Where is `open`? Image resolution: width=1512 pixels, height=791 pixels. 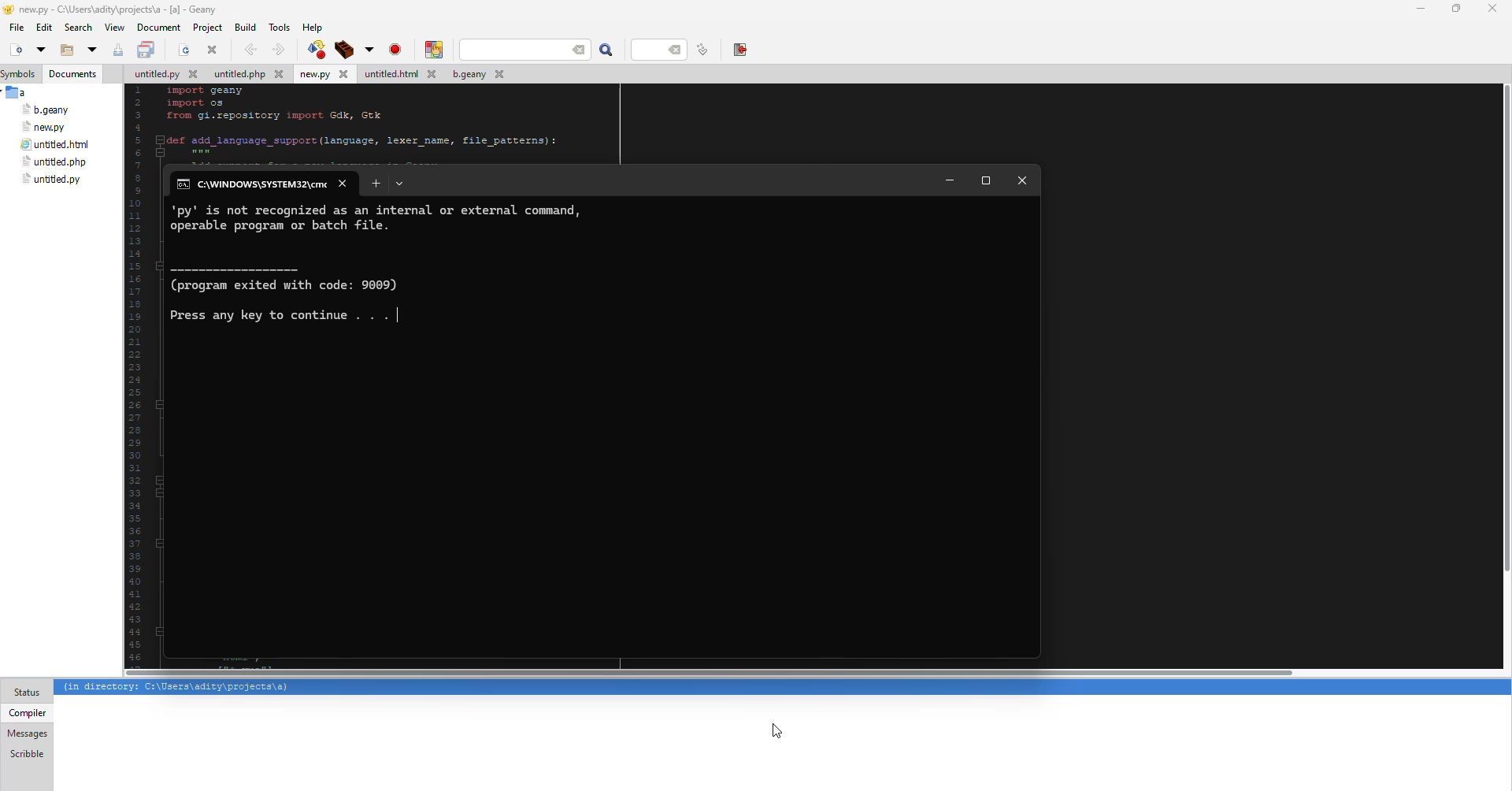 open is located at coordinates (91, 50).